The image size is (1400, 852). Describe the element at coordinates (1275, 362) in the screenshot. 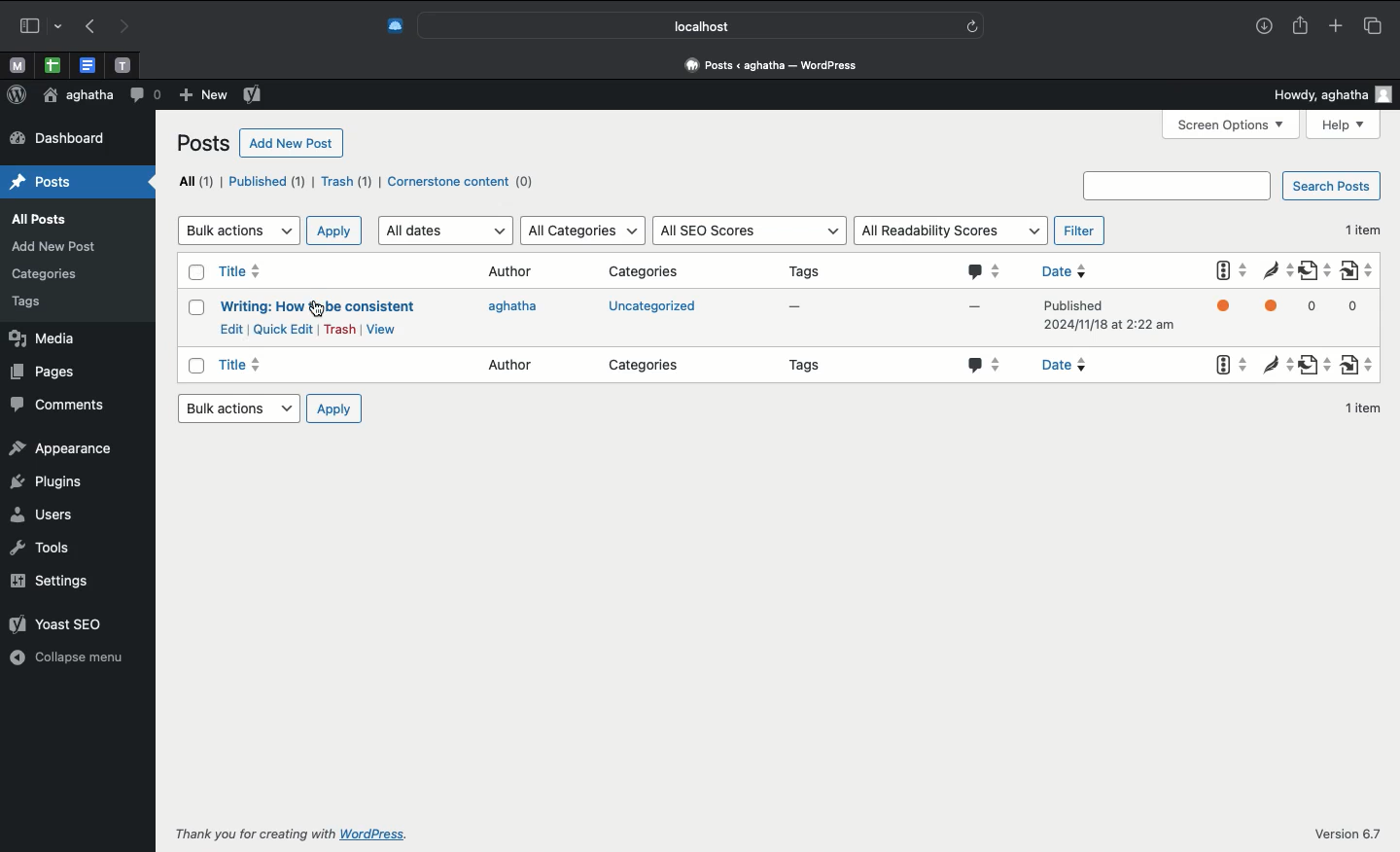

I see `readability` at that location.